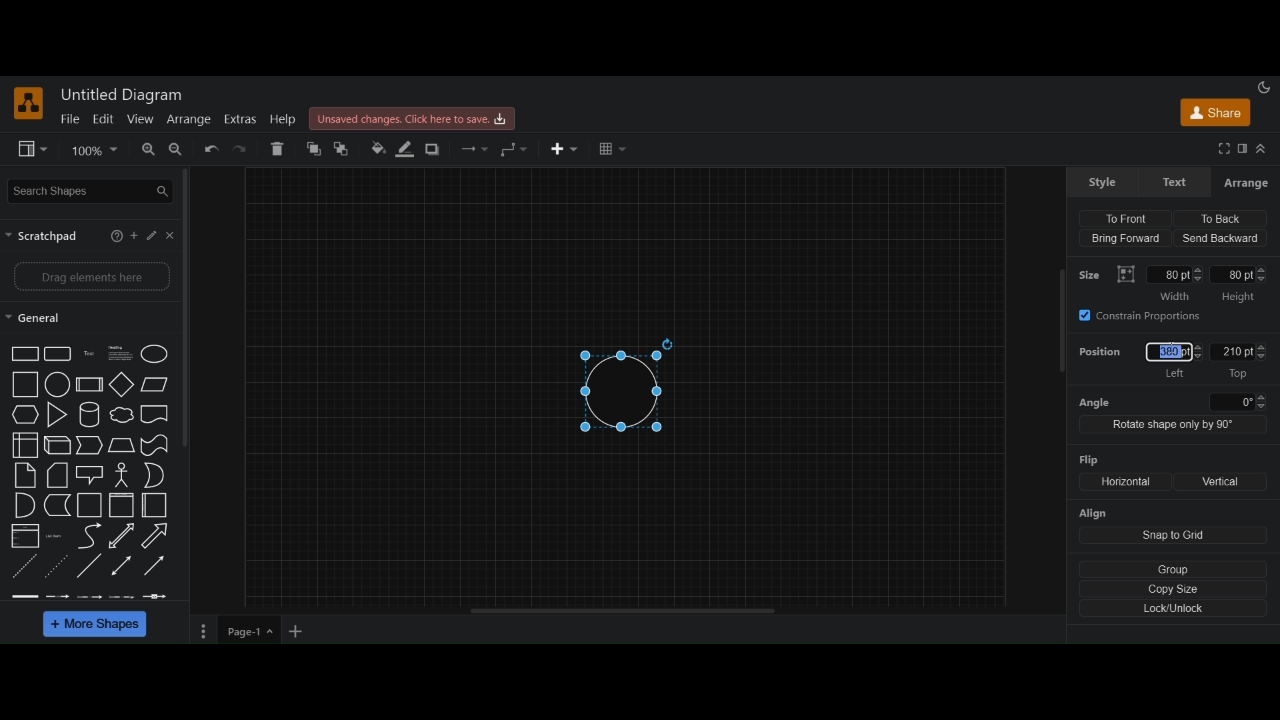 The height and width of the screenshot is (720, 1280). I want to click on Shape, so click(25, 446).